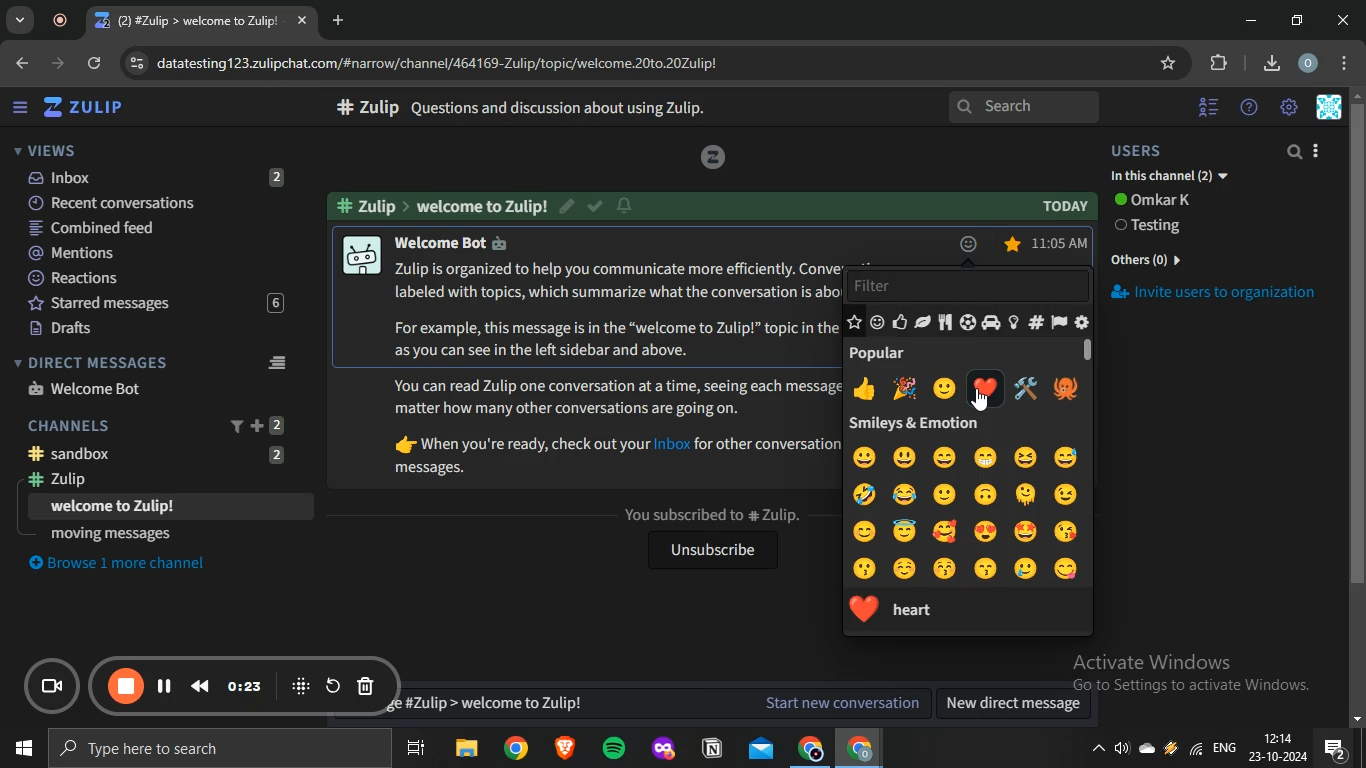 This screenshot has width=1366, height=768. What do you see at coordinates (1290, 108) in the screenshot?
I see `main menu` at bounding box center [1290, 108].